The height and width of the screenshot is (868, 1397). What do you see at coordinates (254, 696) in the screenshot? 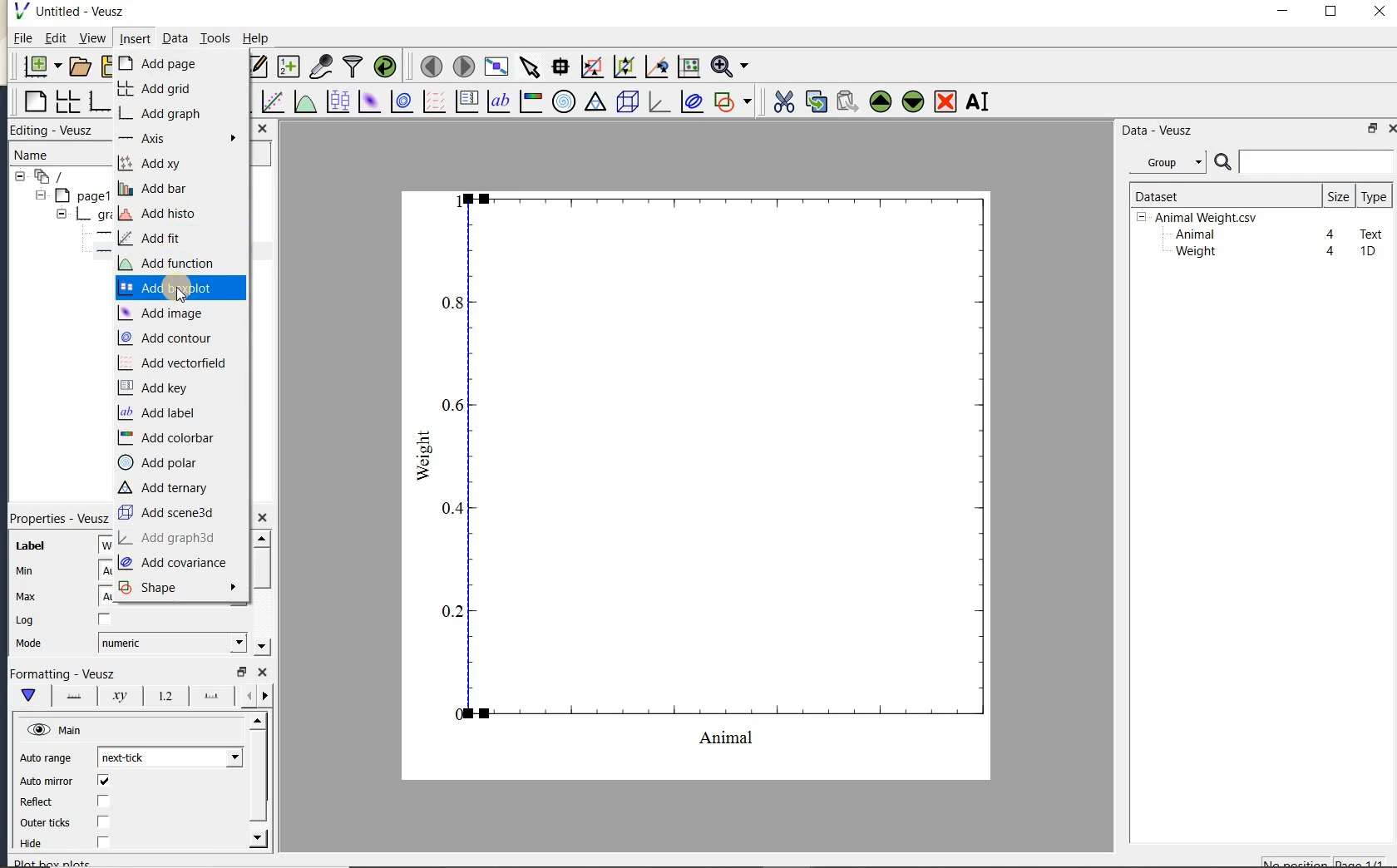
I see `minor ticks` at bounding box center [254, 696].